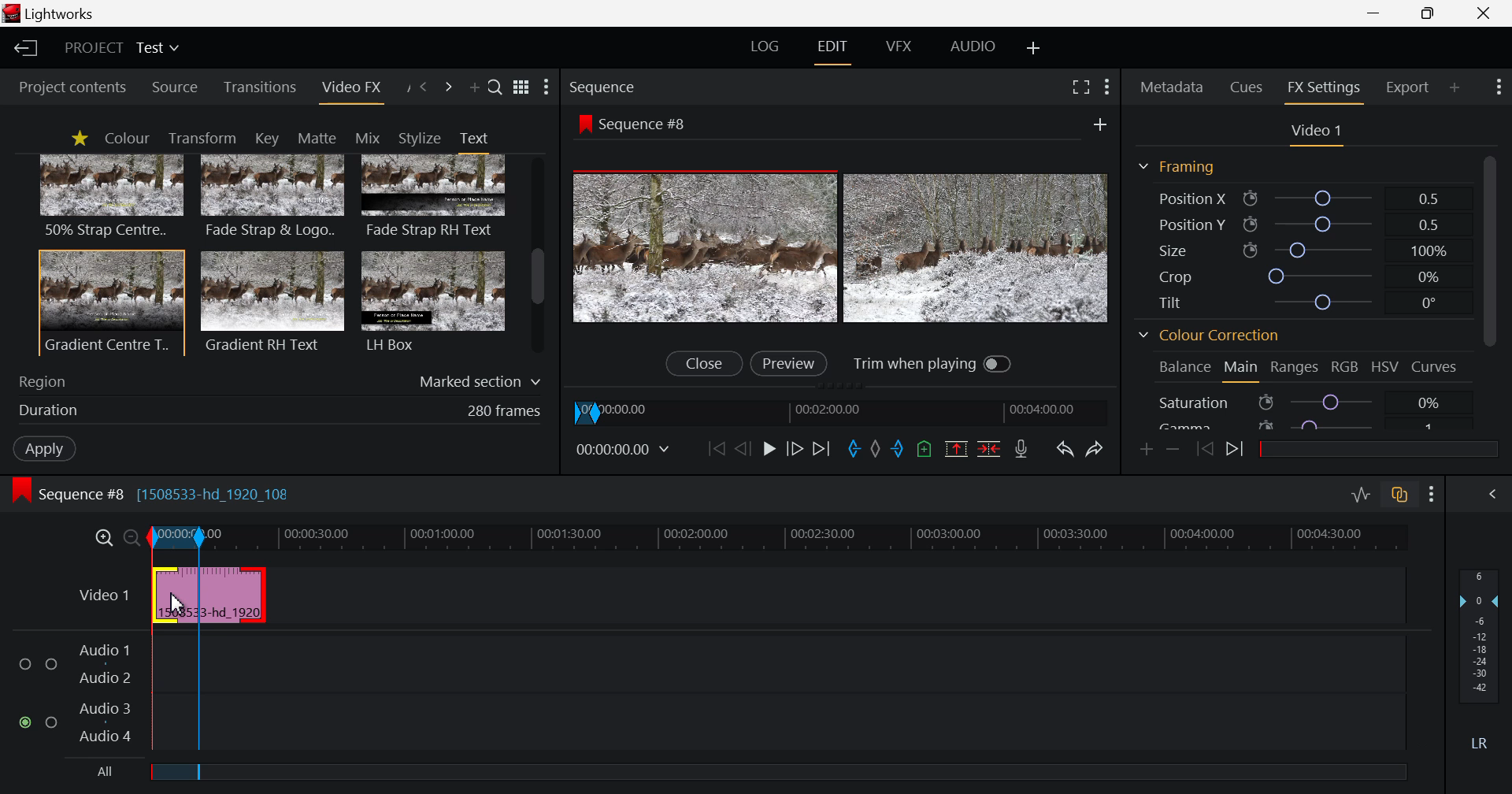 The width and height of the screenshot is (1512, 794). Describe the element at coordinates (1317, 132) in the screenshot. I see `Video Settings` at that location.